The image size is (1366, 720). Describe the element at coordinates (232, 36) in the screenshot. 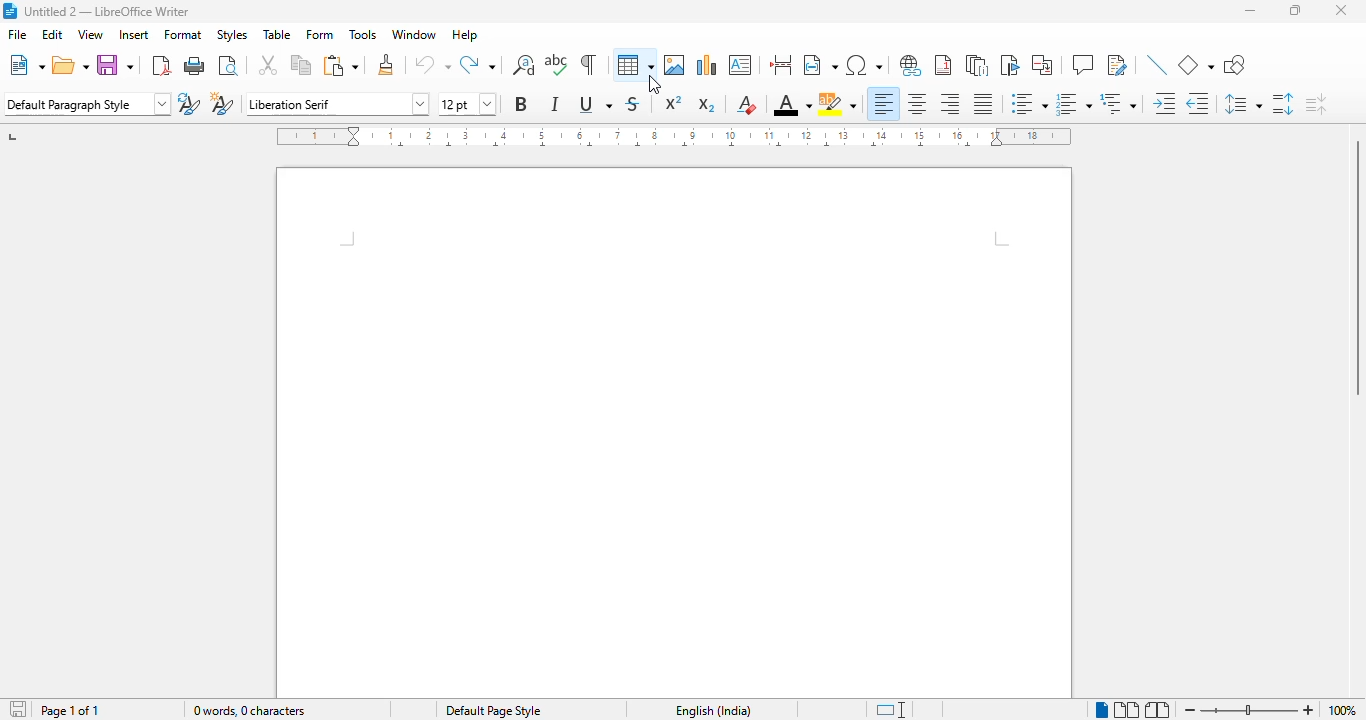

I see `styles` at that location.